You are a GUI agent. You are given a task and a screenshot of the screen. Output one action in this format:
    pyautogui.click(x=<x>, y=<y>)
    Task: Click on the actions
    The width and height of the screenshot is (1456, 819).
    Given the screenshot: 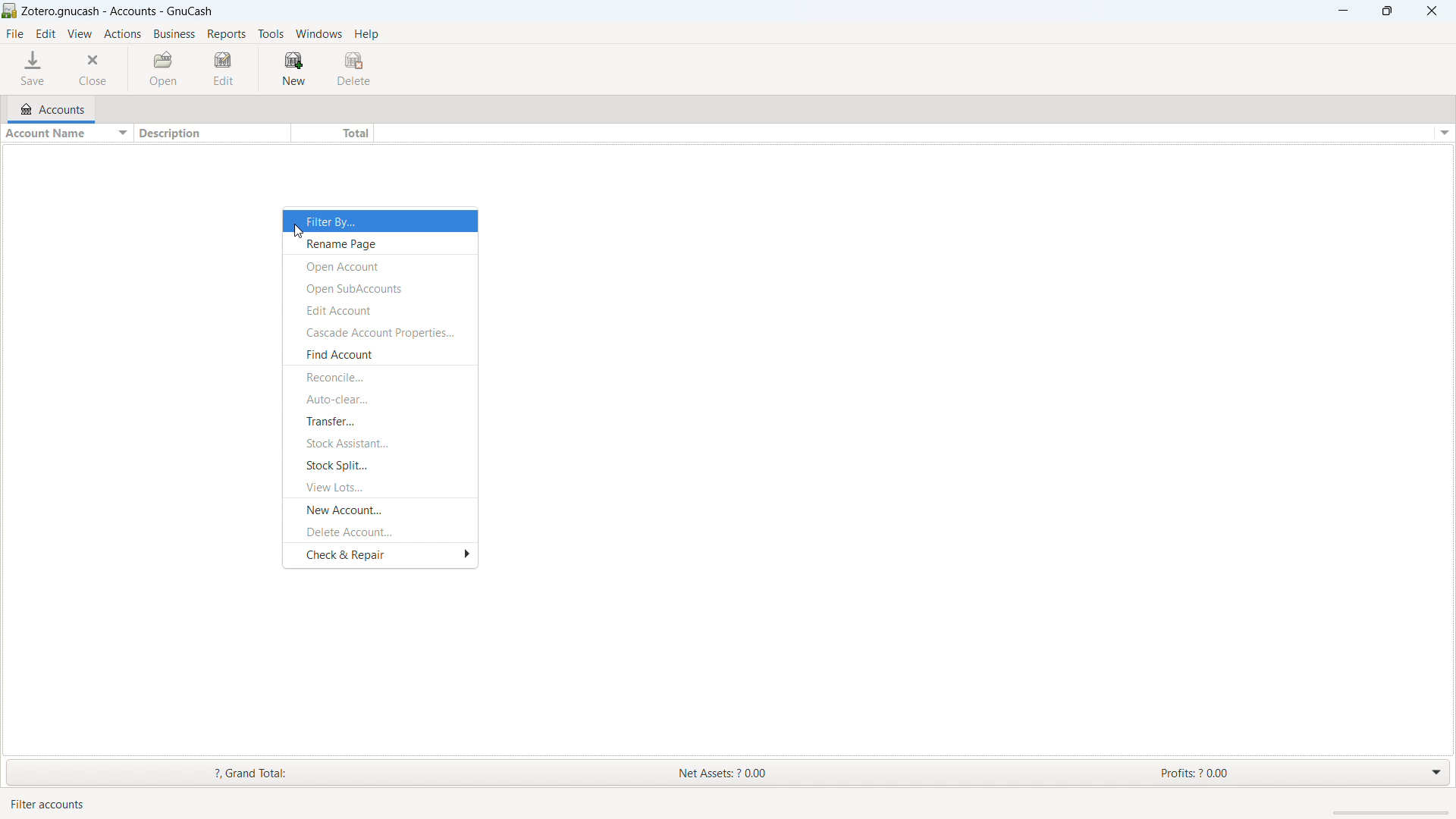 What is the action you would take?
    pyautogui.click(x=122, y=35)
    